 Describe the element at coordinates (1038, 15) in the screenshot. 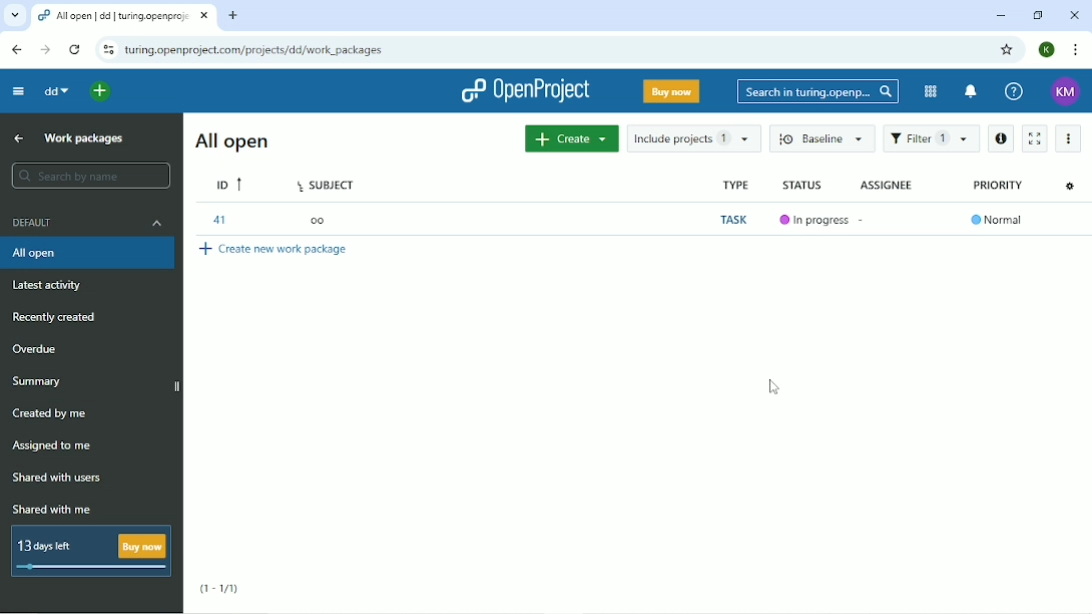

I see `Restore down` at that location.